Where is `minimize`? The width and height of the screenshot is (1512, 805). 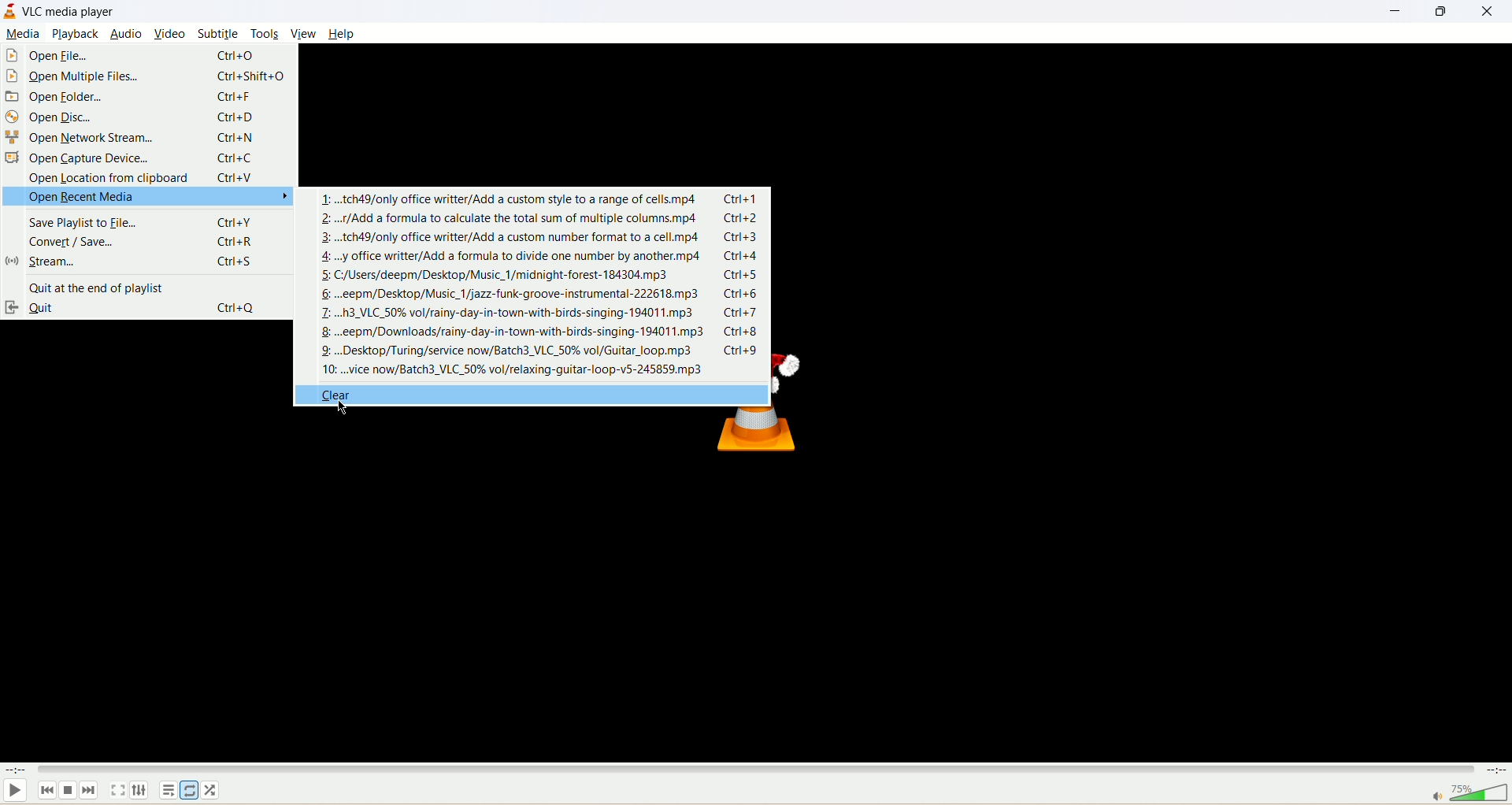 minimize is located at coordinates (1395, 14).